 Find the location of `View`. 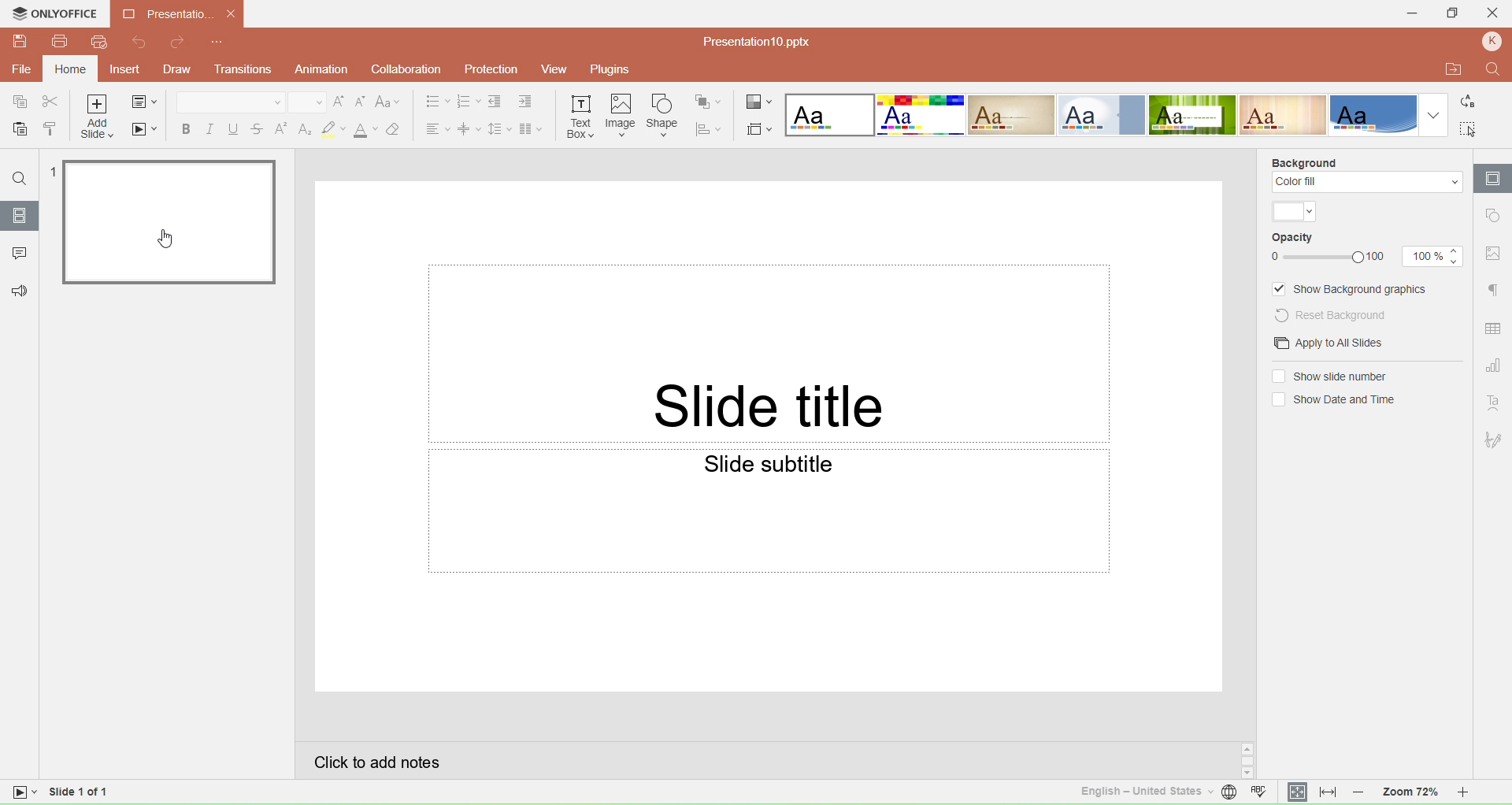

View is located at coordinates (552, 71).